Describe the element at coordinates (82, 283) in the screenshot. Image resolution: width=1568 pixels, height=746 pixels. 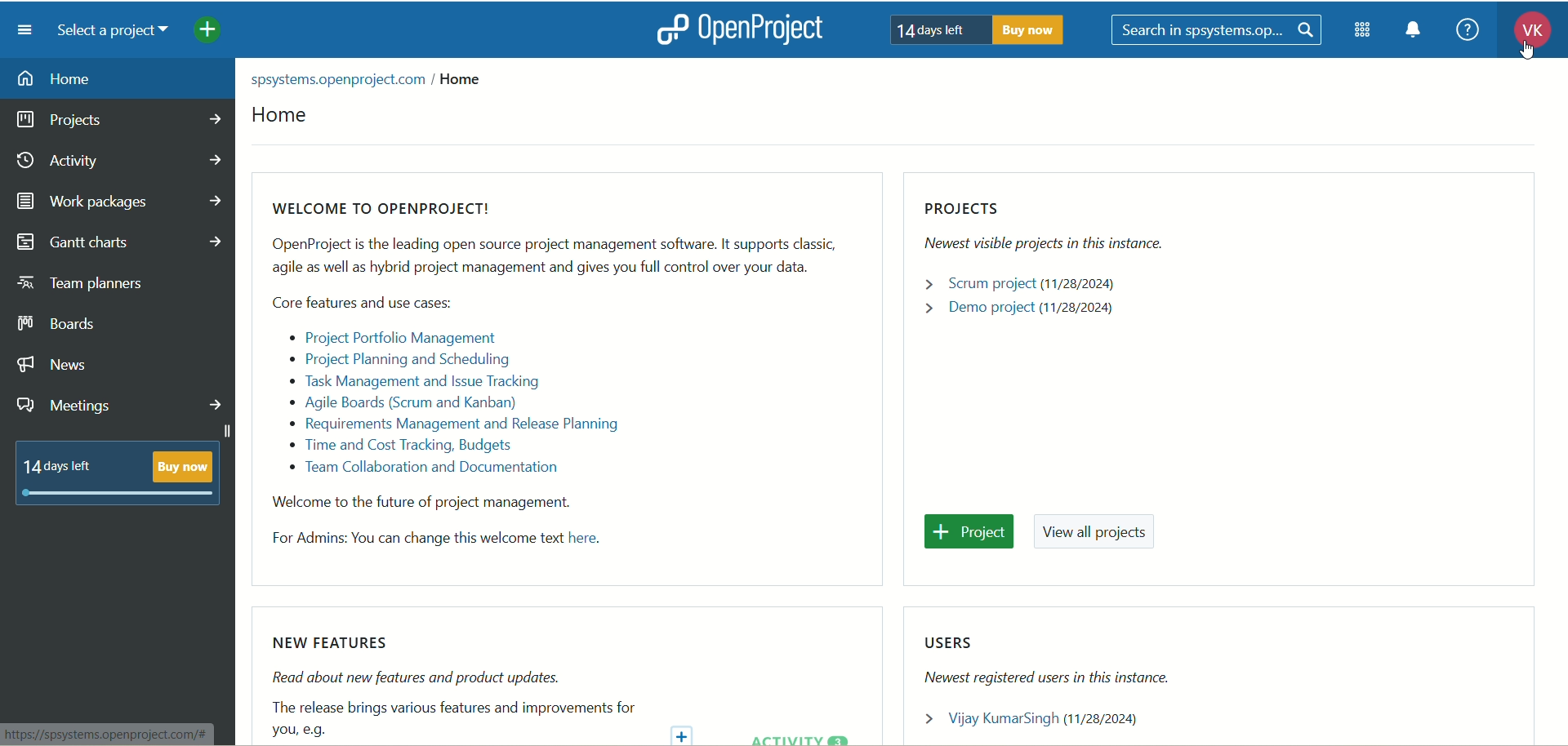
I see `team planners` at that location.